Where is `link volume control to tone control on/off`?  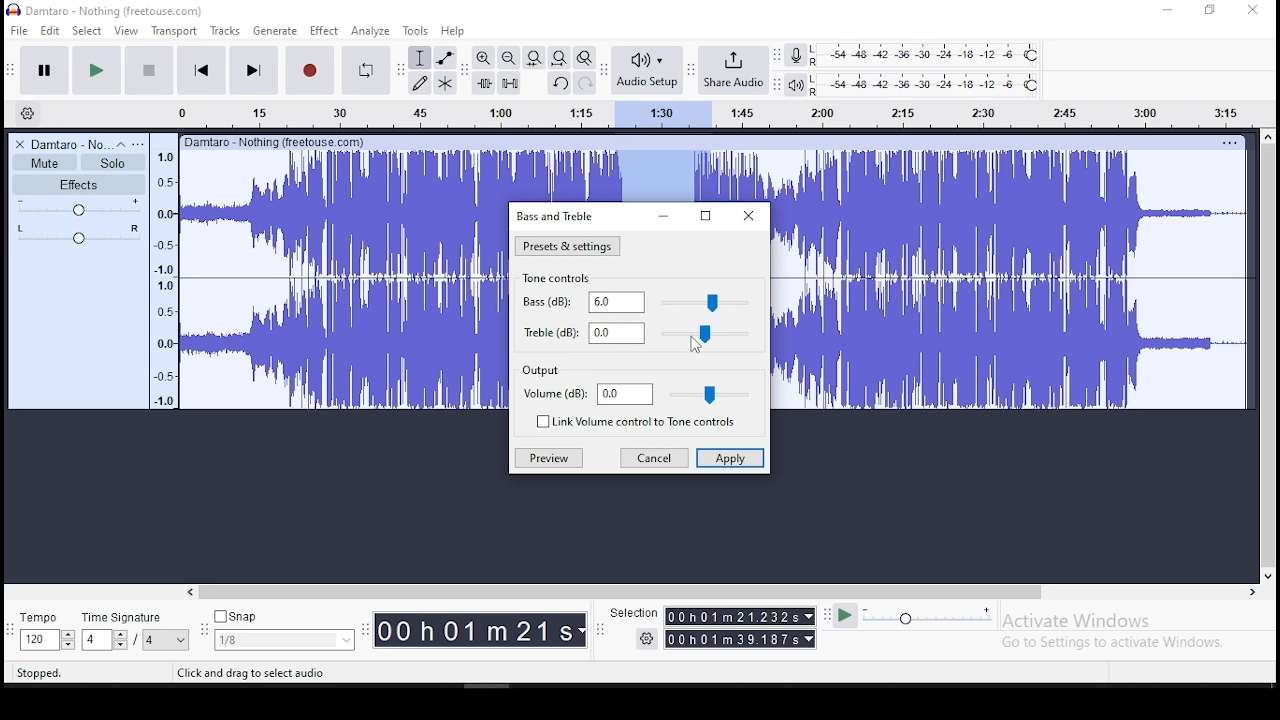 link volume control to tone control on/off is located at coordinates (650, 423).